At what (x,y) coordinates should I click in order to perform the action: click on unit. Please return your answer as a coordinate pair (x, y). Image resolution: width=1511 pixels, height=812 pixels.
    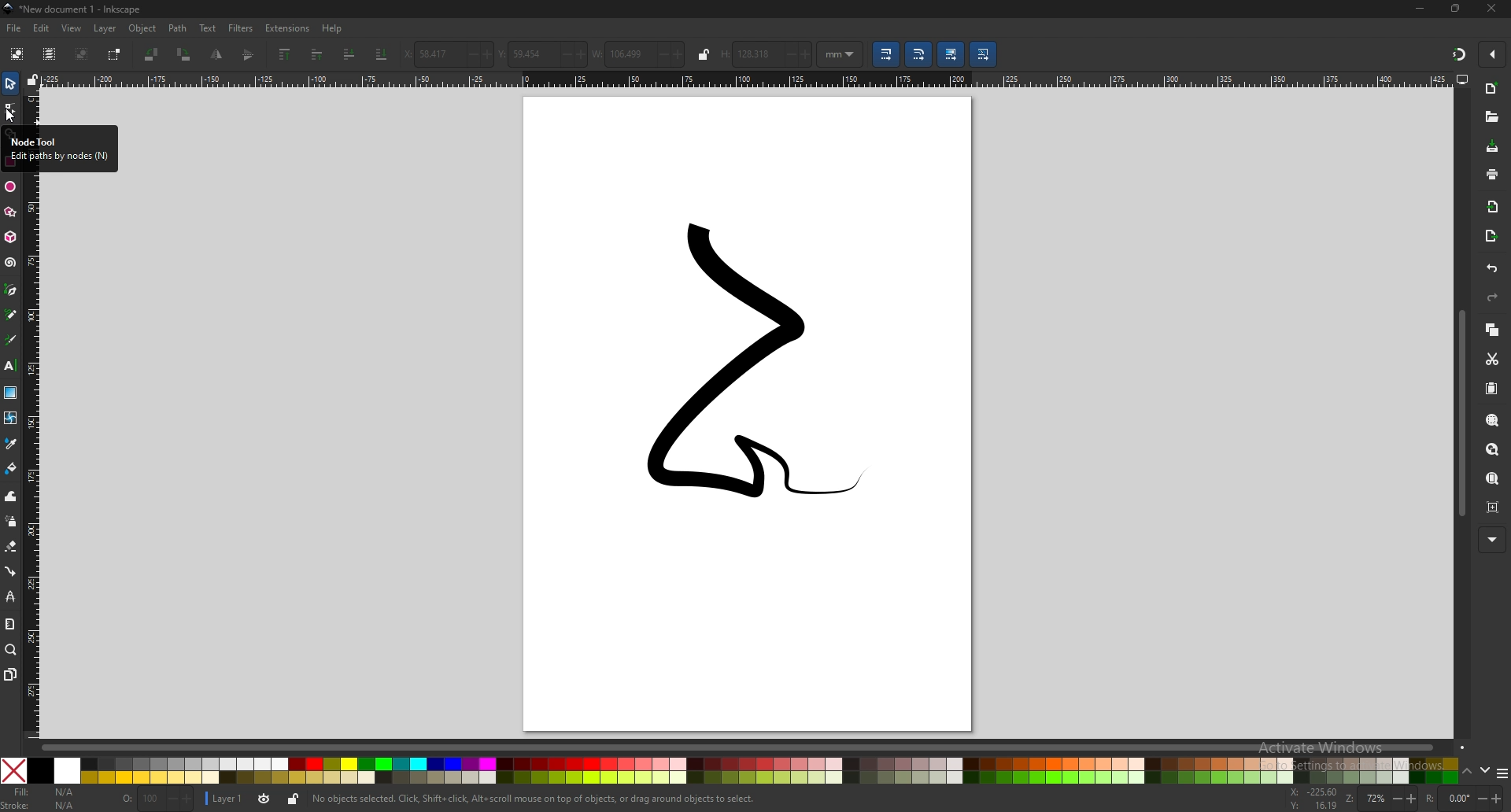
    Looking at the image, I should click on (840, 54).